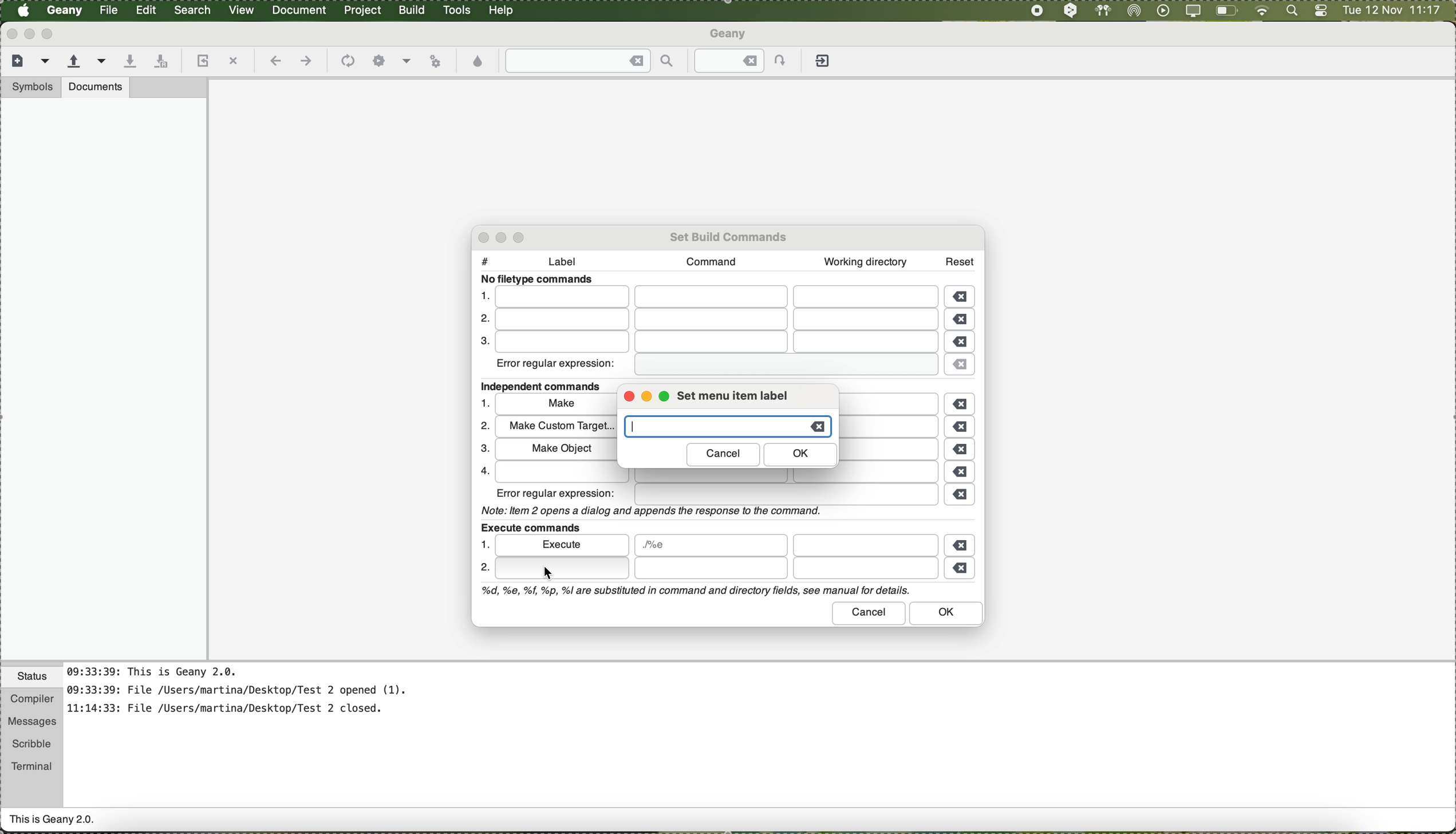 The width and height of the screenshot is (1456, 834). I want to click on battery, so click(1227, 13).